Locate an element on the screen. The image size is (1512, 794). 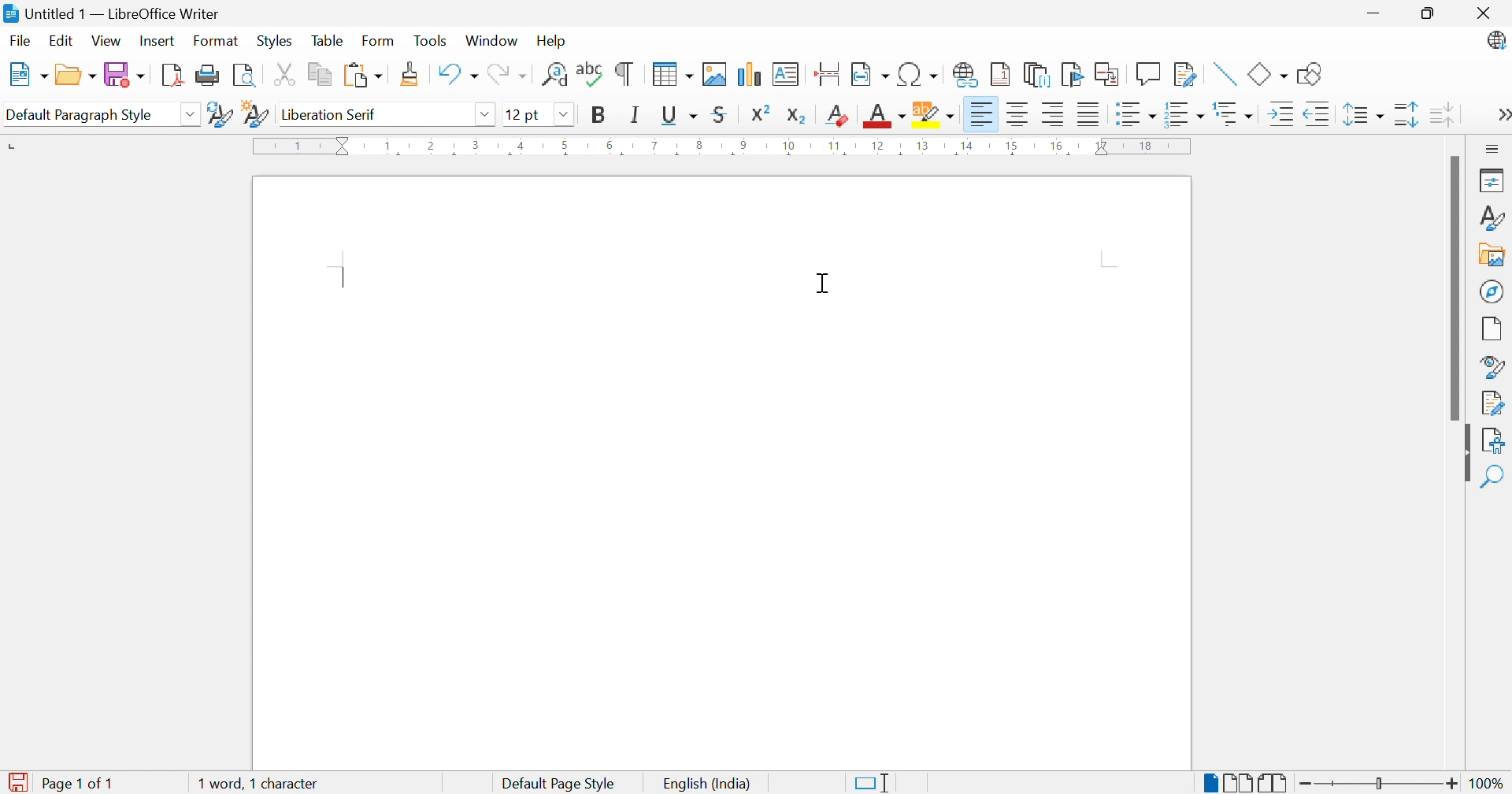
Undo is located at coordinates (457, 74).